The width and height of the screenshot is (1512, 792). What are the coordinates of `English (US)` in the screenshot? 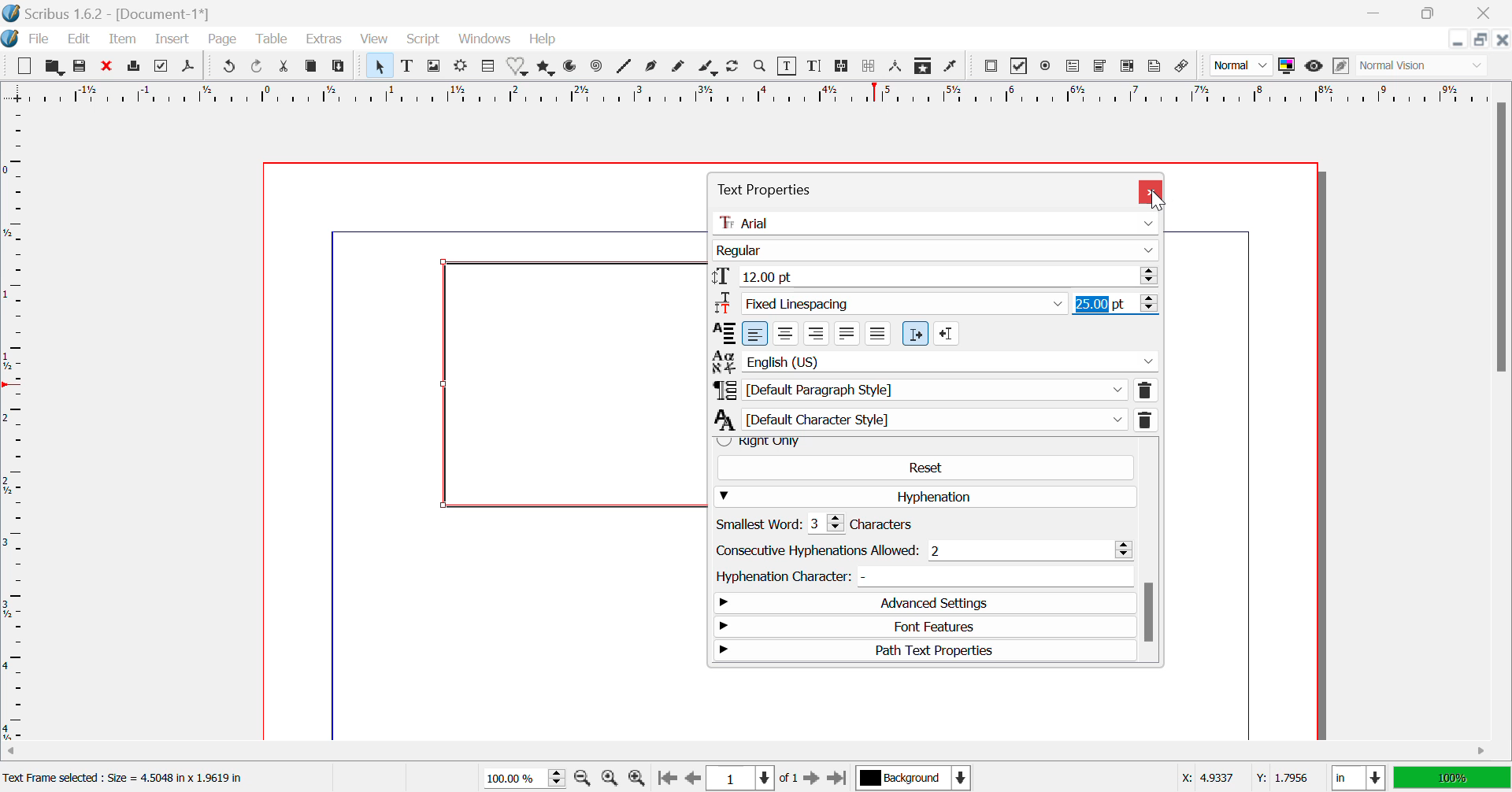 It's located at (936, 361).